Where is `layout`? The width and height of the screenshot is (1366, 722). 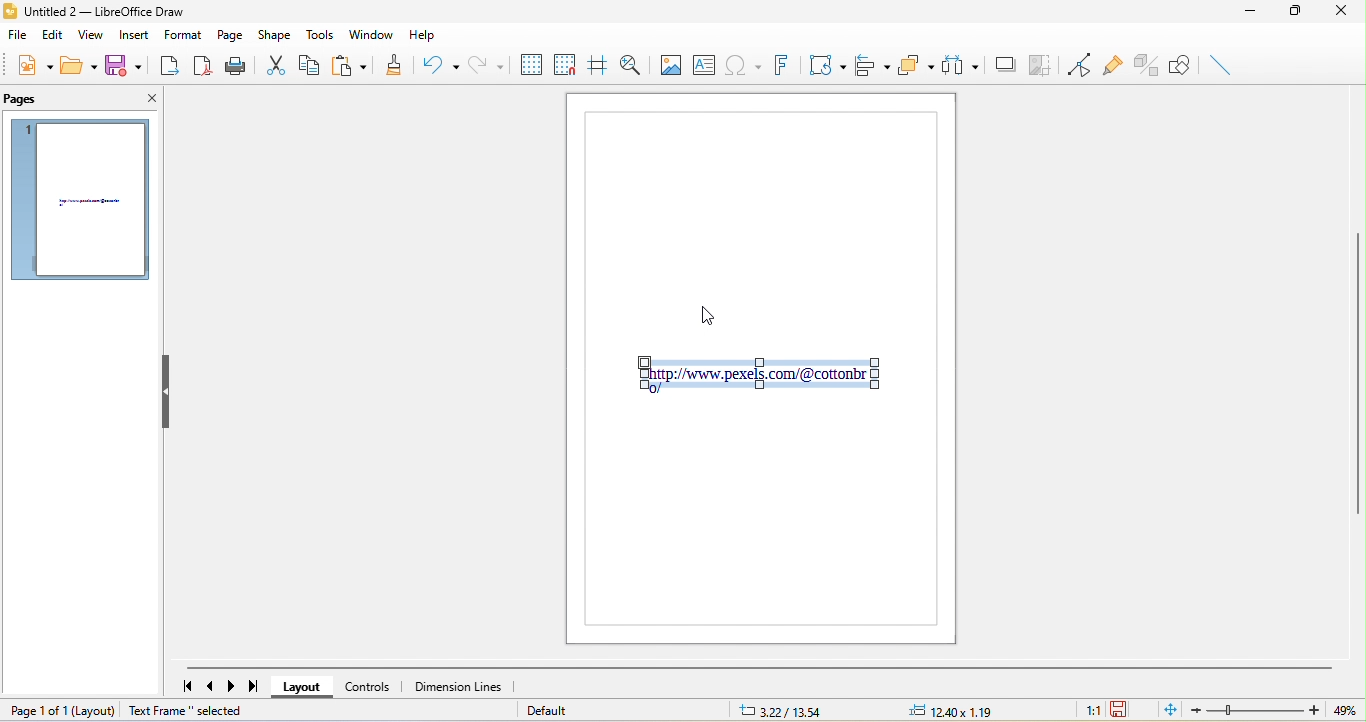
layout is located at coordinates (304, 687).